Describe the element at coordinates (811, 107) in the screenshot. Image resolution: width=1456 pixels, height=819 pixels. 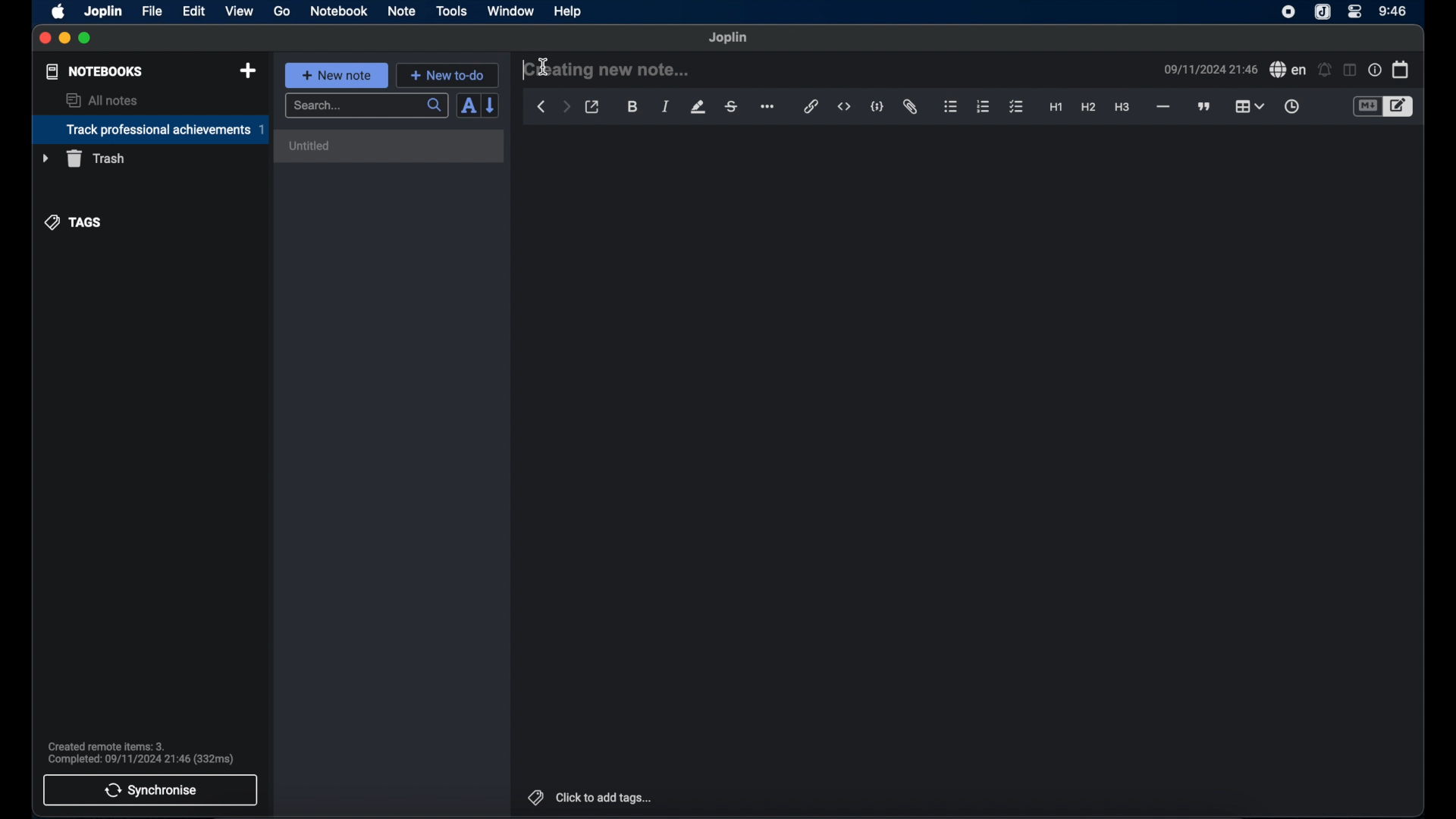
I see `hyperlink` at that location.